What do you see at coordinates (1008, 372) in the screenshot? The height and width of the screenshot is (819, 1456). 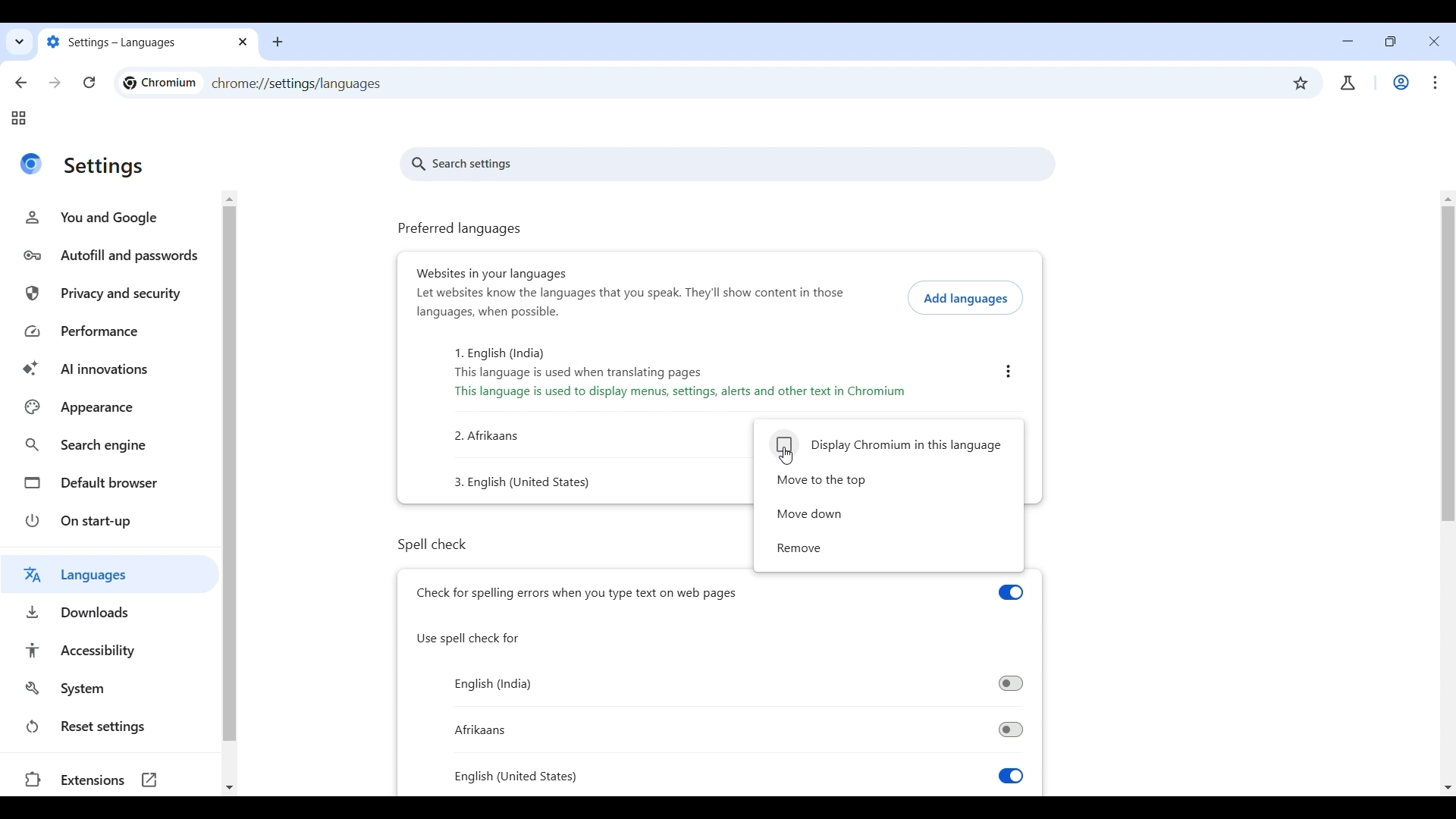 I see `English (India) settings` at bounding box center [1008, 372].